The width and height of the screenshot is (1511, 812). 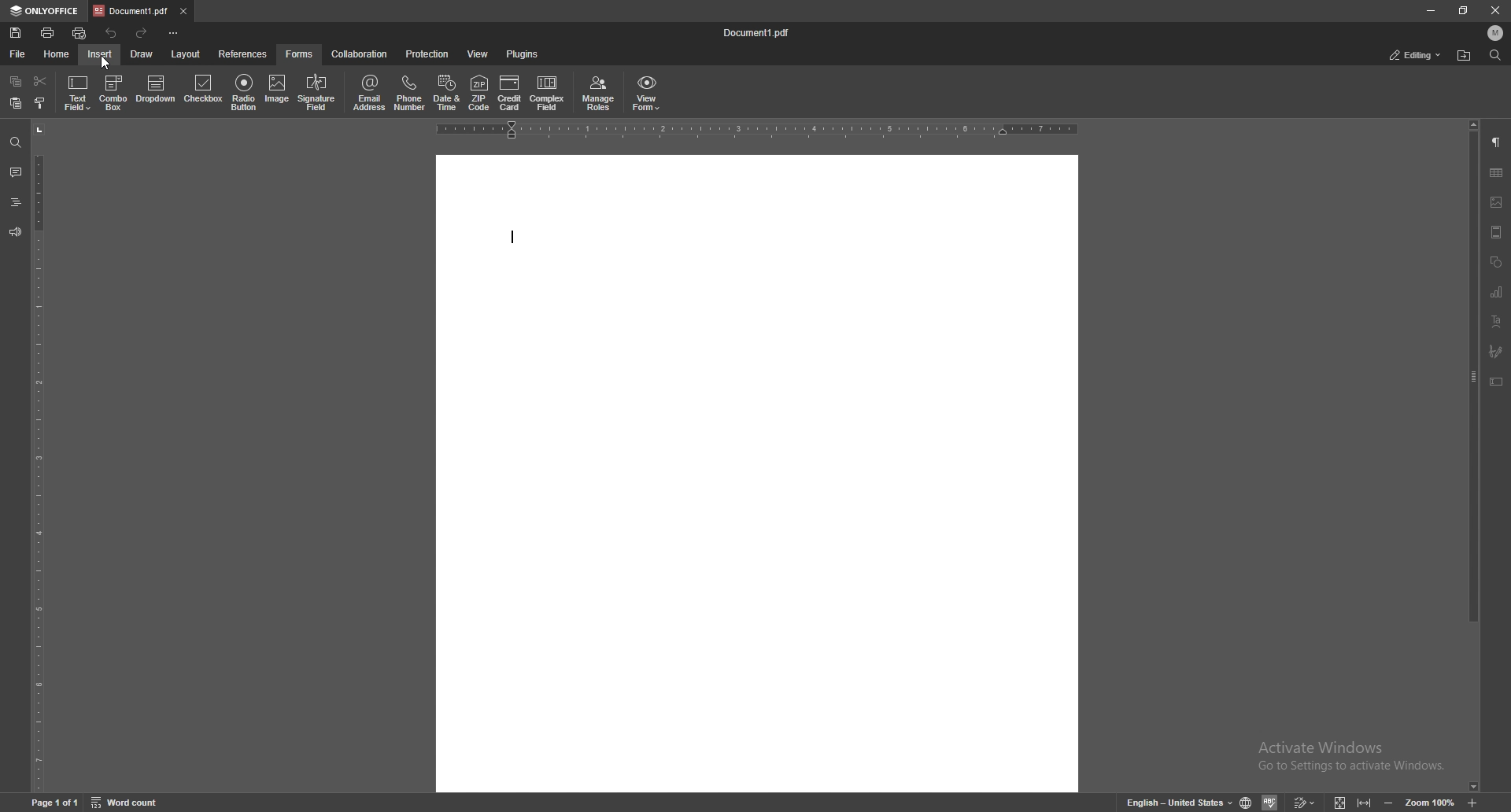 I want to click on header and footer, so click(x=1496, y=232).